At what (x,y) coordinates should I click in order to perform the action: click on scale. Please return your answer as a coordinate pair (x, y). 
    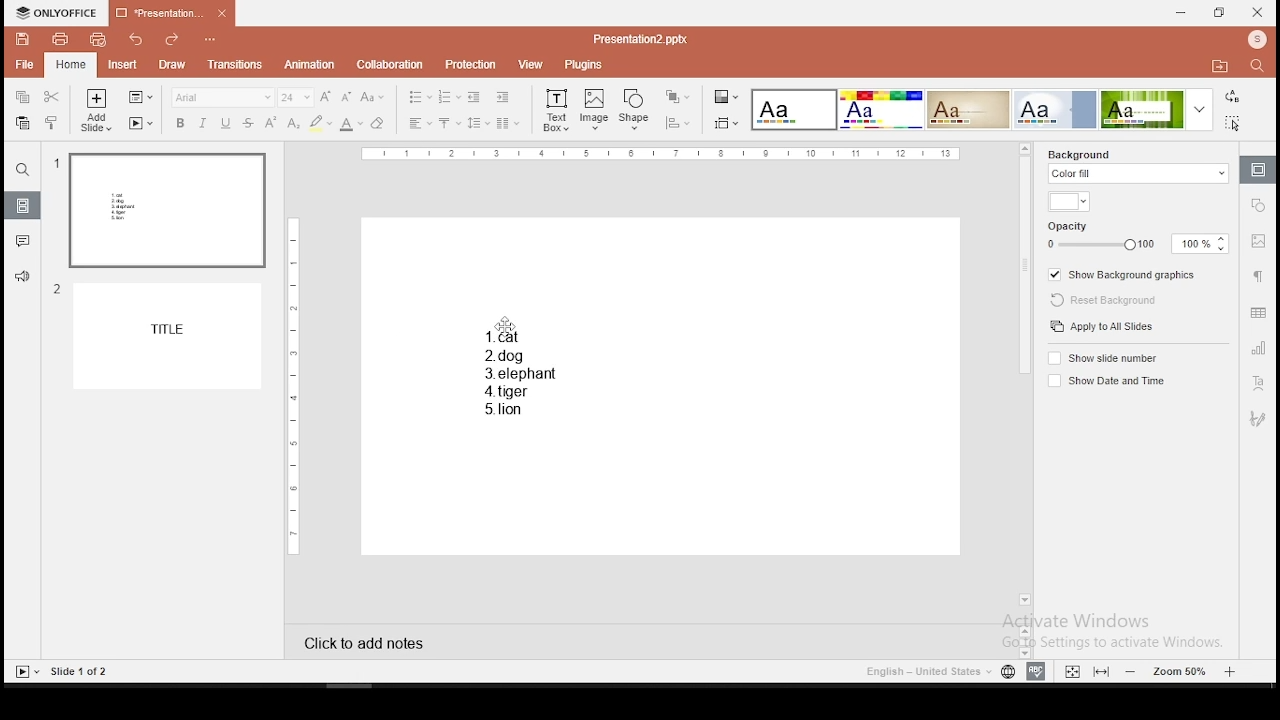
    Looking at the image, I should click on (661, 155).